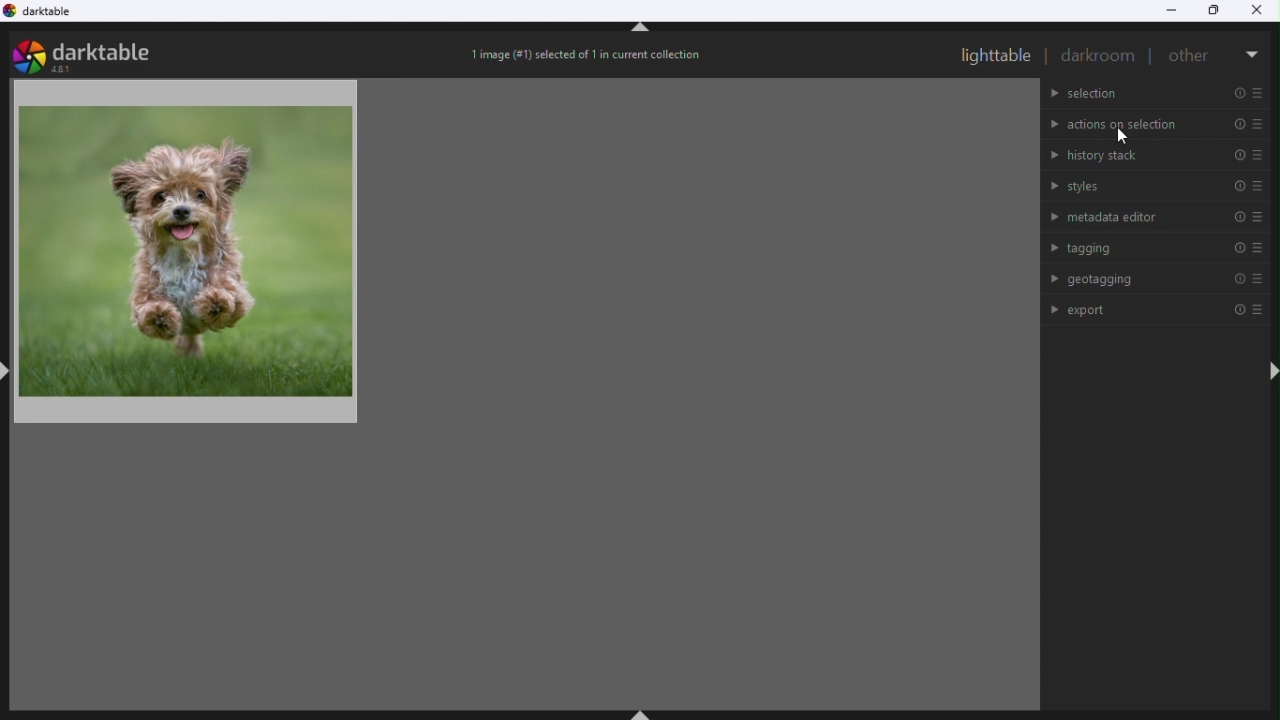  What do you see at coordinates (1116, 138) in the screenshot?
I see `cursor` at bounding box center [1116, 138].